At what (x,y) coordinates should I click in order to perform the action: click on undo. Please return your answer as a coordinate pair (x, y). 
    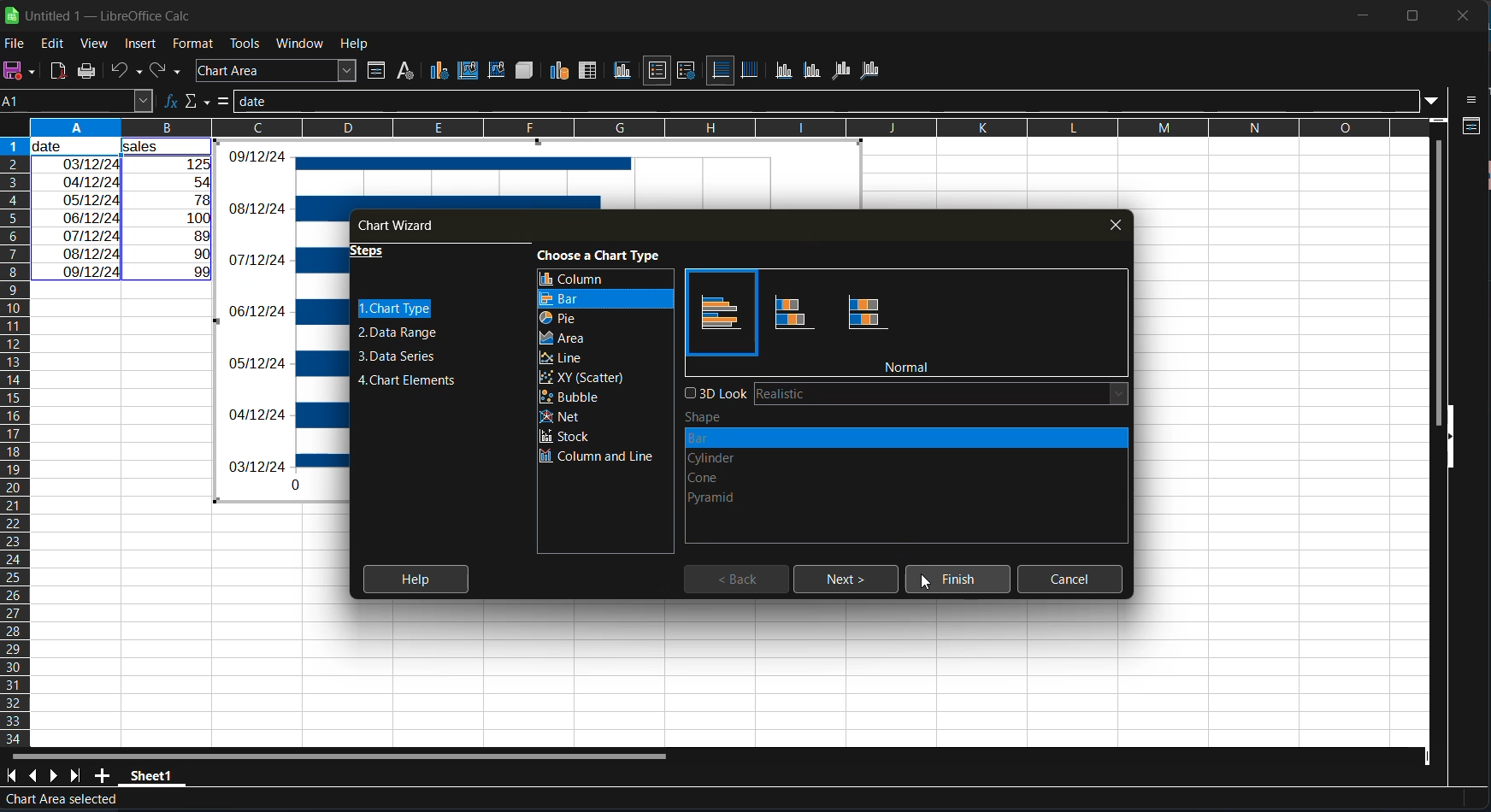
    Looking at the image, I should click on (127, 69).